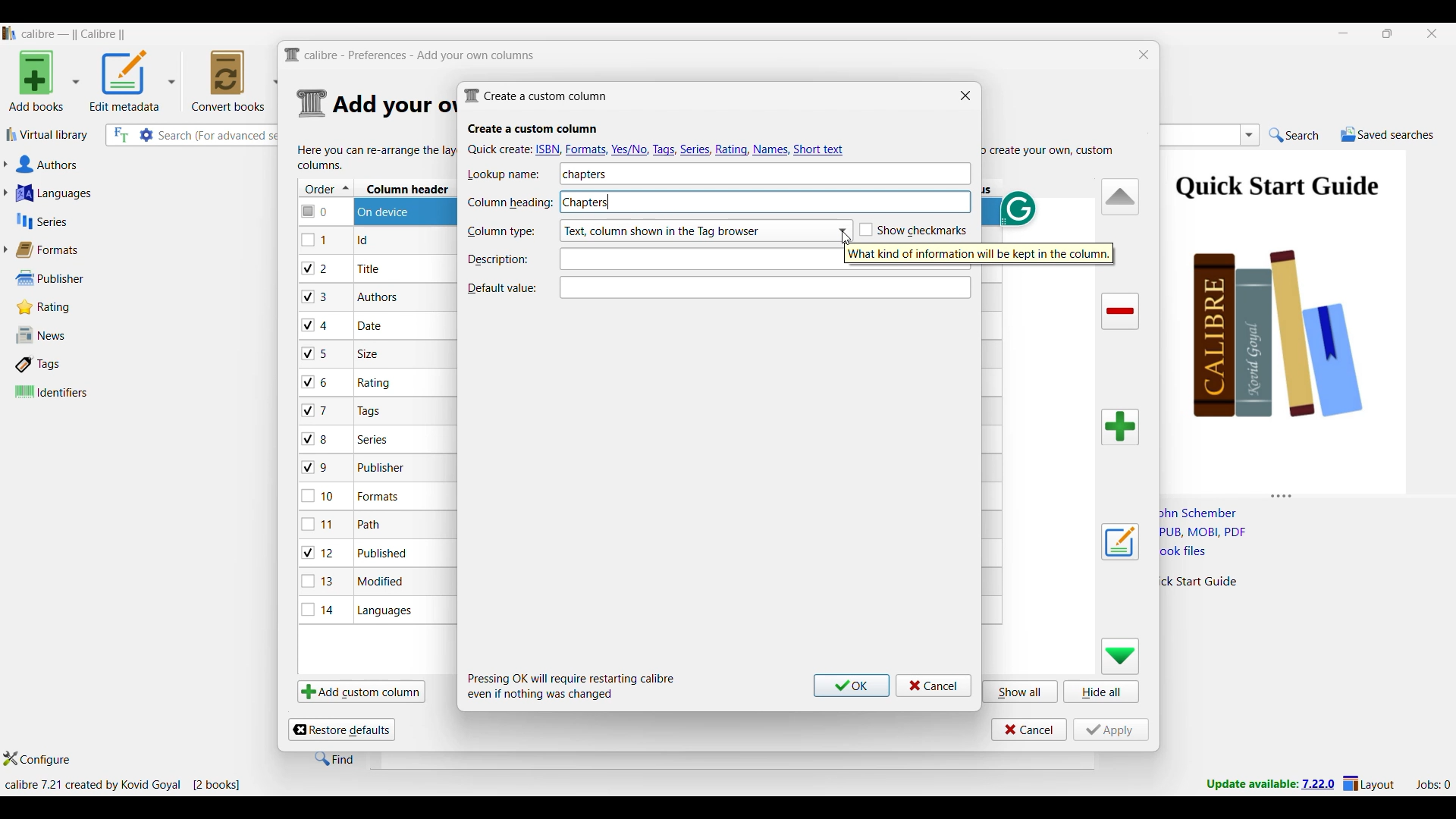 The width and height of the screenshot is (1456, 819). Describe the element at coordinates (913, 231) in the screenshot. I see `Toggle for Show checkmarks` at that location.